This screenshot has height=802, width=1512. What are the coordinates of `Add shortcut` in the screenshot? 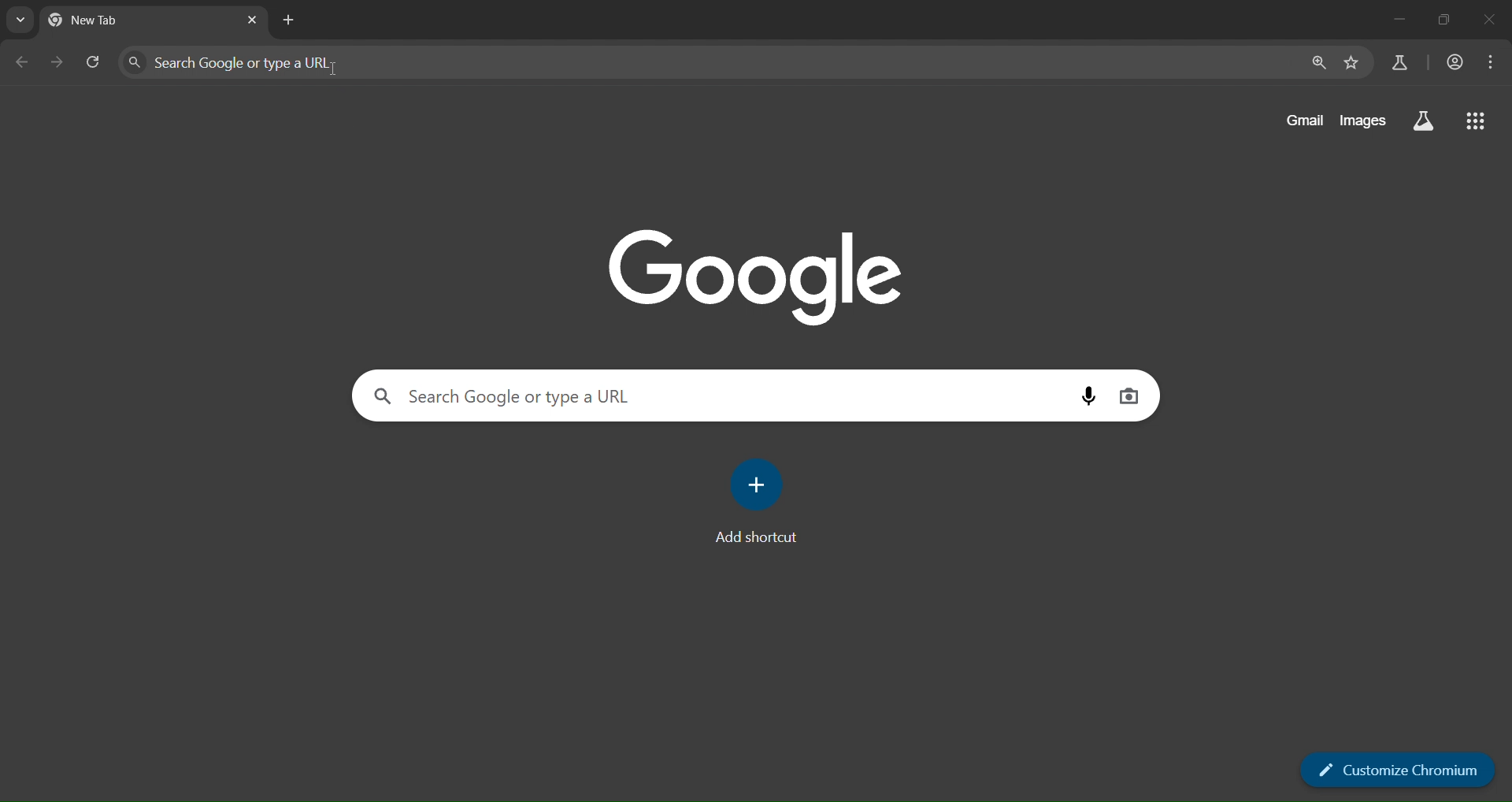 It's located at (755, 537).